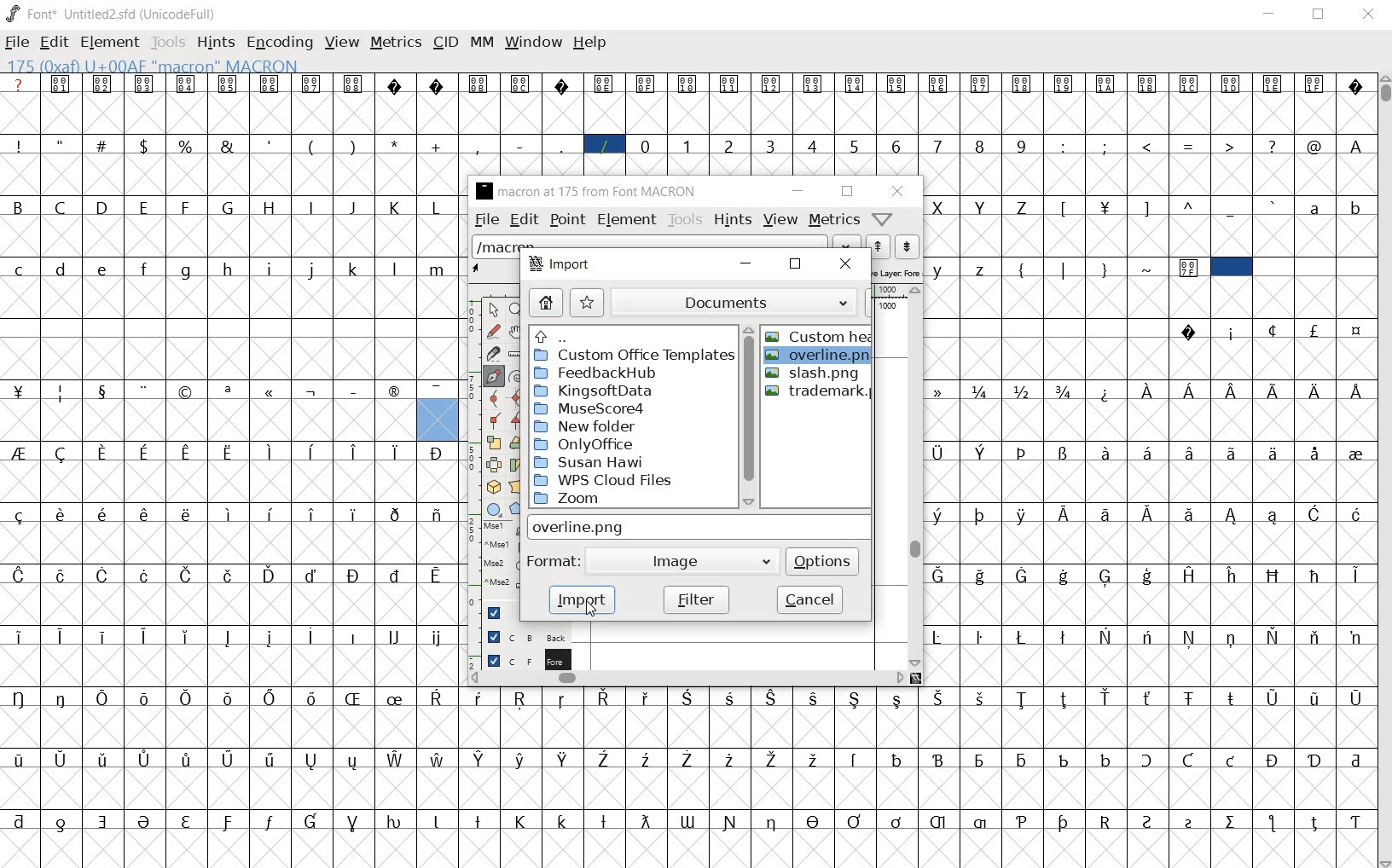  Describe the element at coordinates (647, 144) in the screenshot. I see `0` at that location.